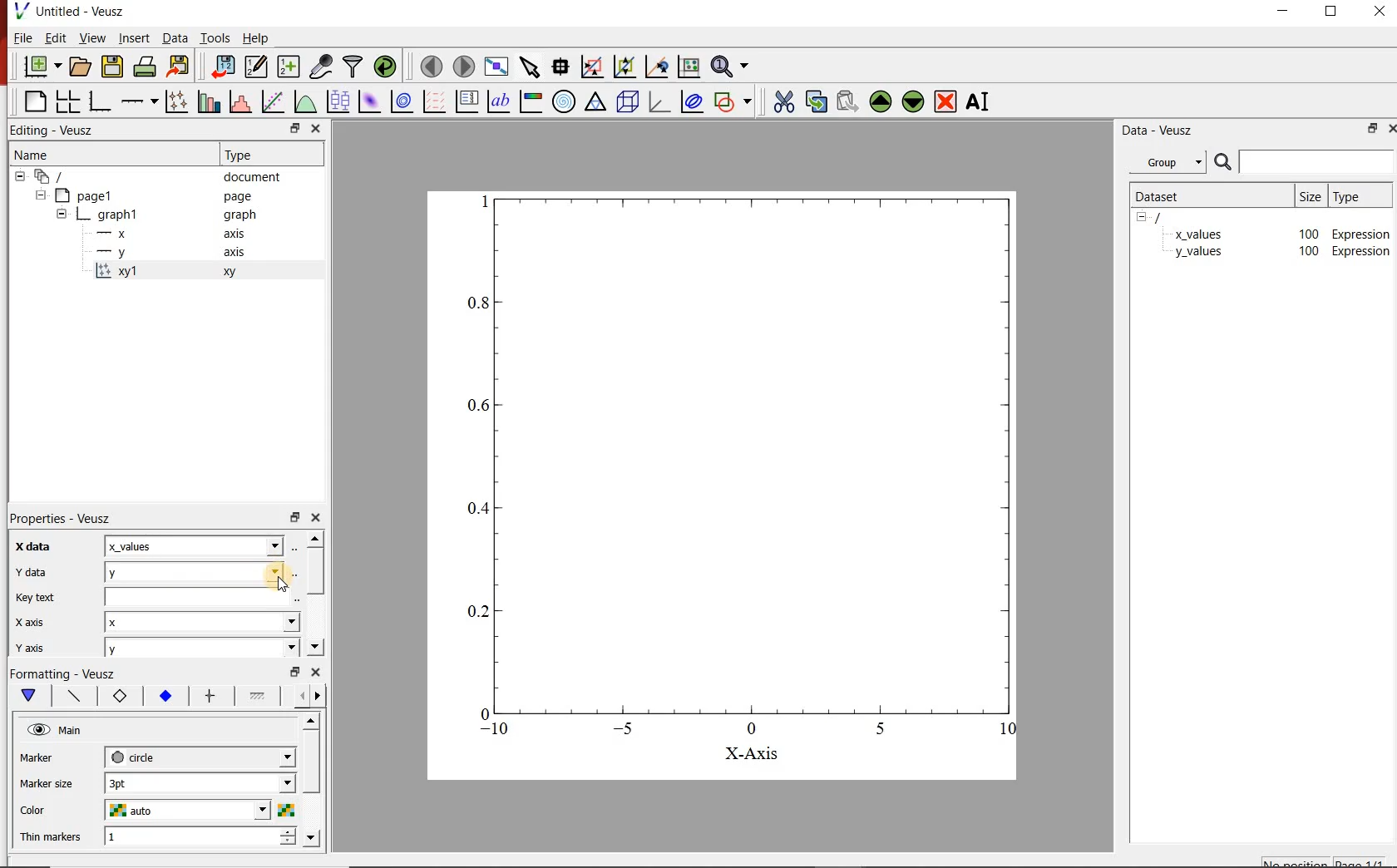  I want to click on fill 1, so click(262, 695).